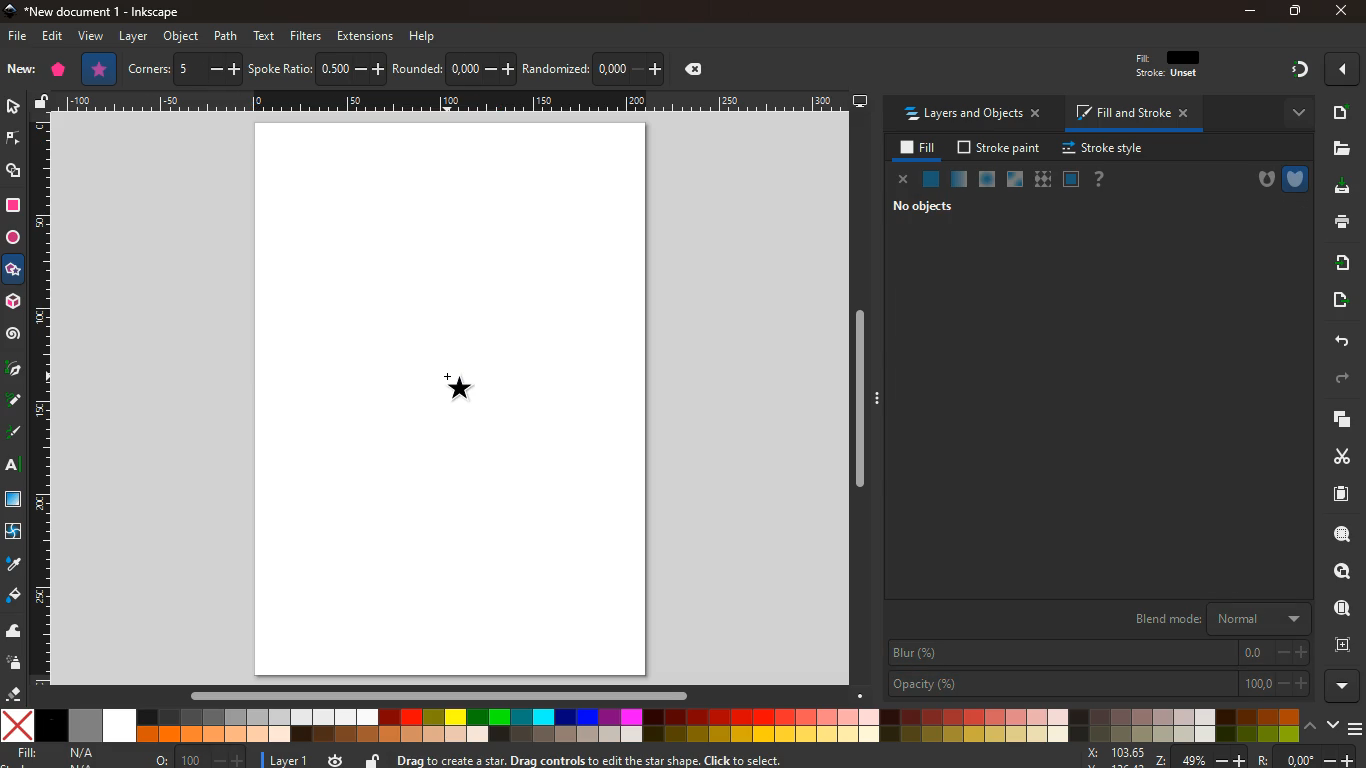  What do you see at coordinates (12, 371) in the screenshot?
I see `pic` at bounding box center [12, 371].